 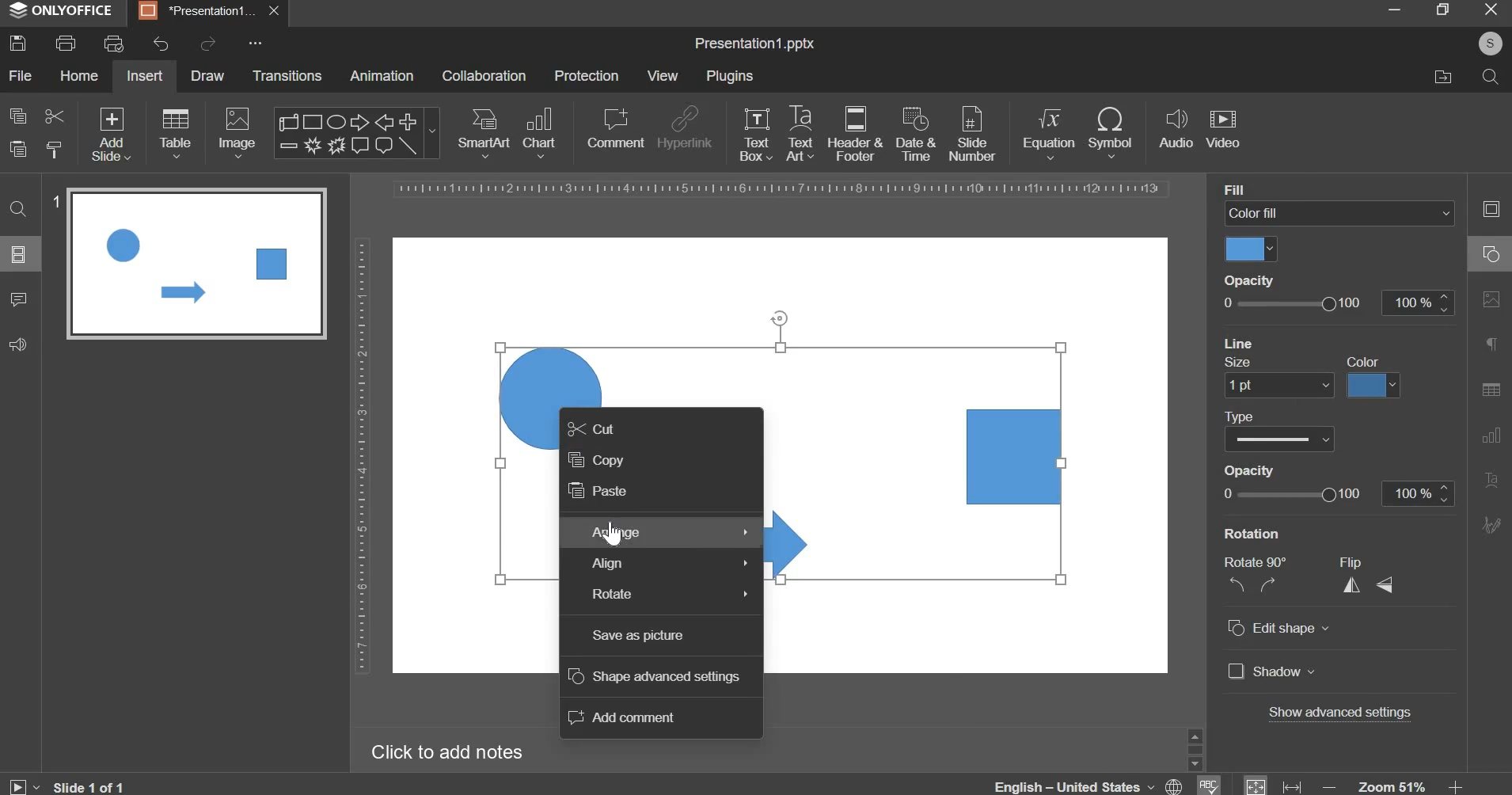 I want to click on text art setting, so click(x=1490, y=478).